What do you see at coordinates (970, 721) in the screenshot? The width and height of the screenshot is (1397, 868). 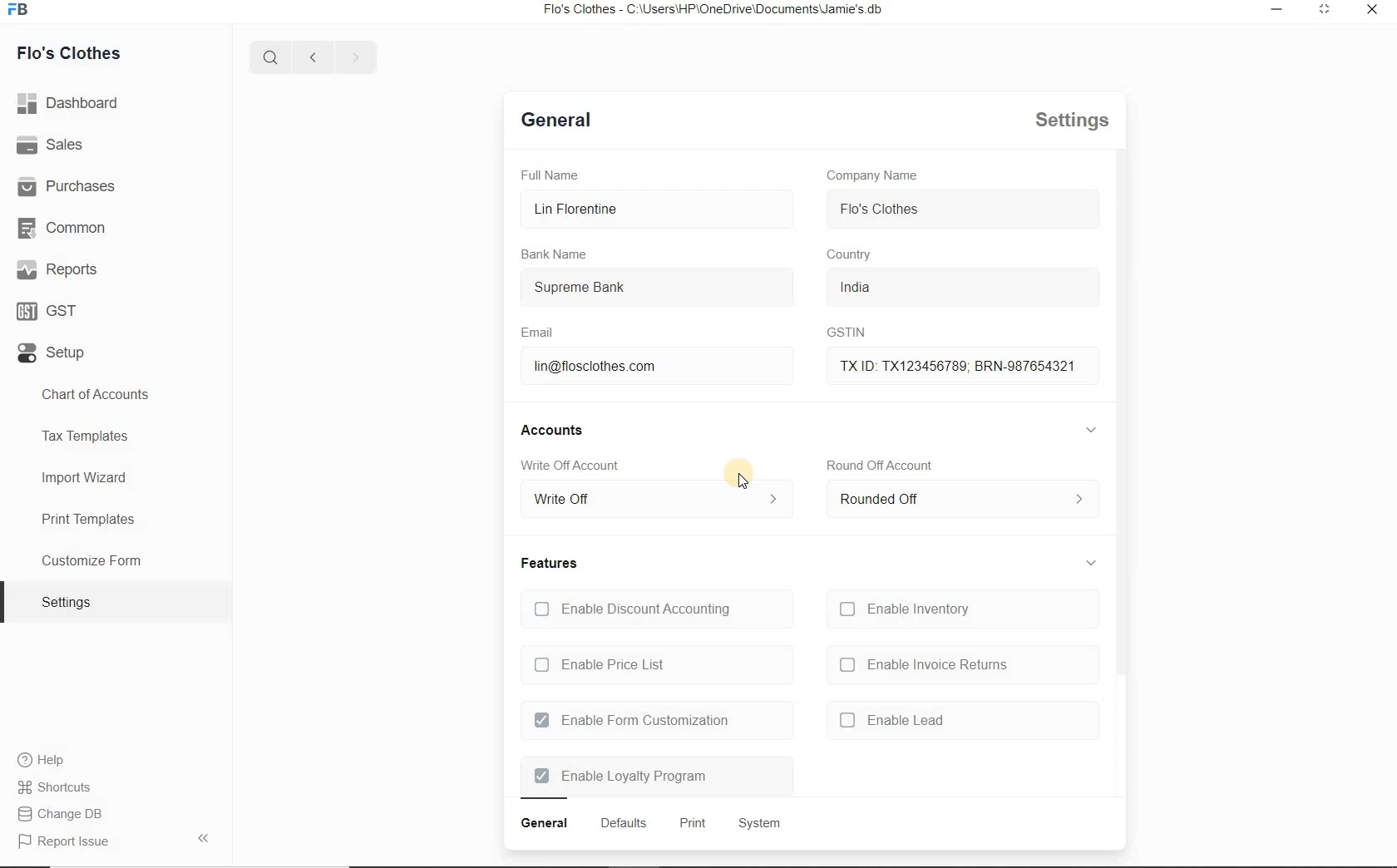 I see `Enable Lead` at bounding box center [970, 721].